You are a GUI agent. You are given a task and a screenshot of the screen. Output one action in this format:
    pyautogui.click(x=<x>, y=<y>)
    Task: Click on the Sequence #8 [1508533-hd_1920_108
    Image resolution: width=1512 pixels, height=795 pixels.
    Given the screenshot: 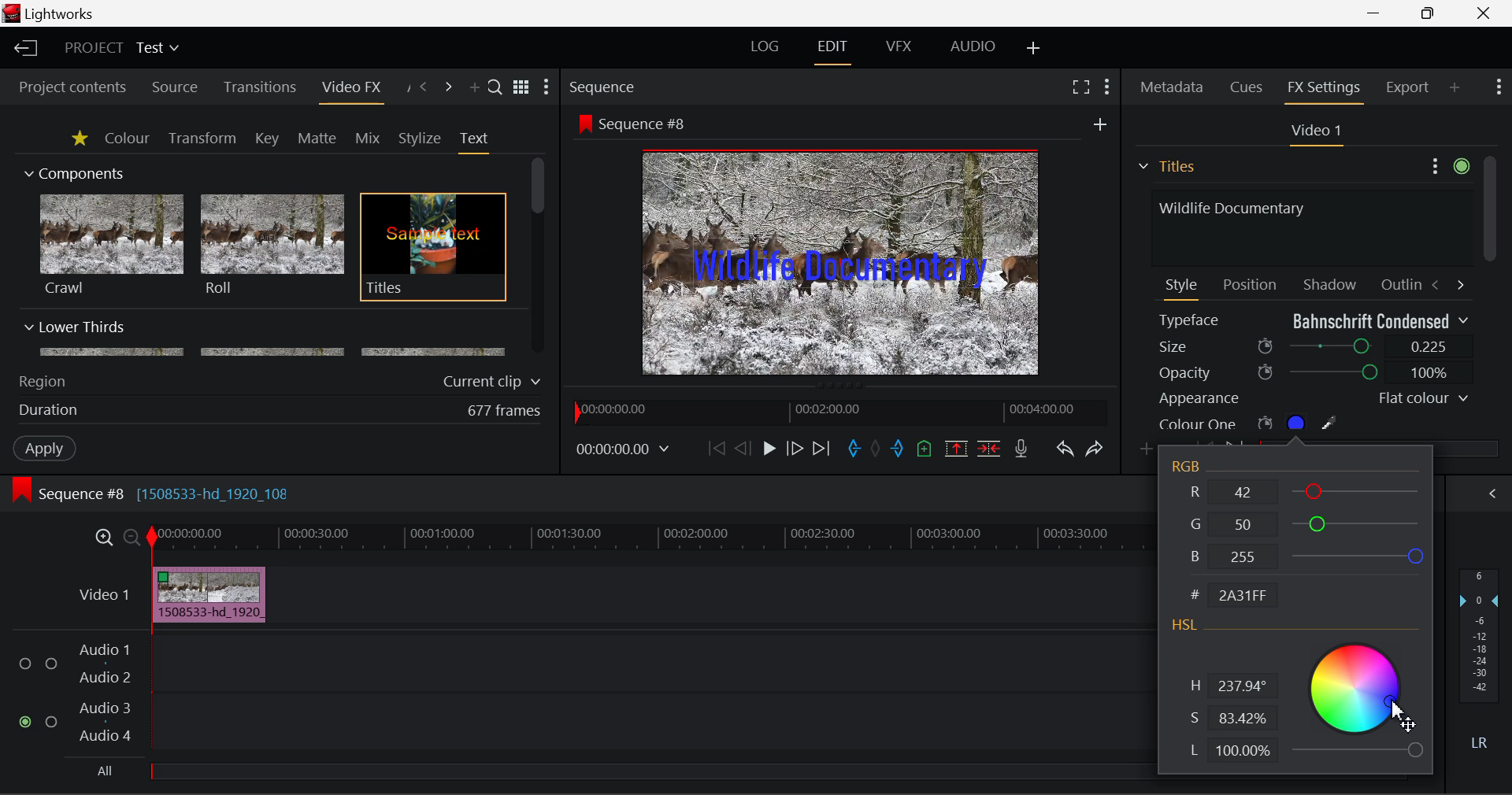 What is the action you would take?
    pyautogui.click(x=167, y=494)
    